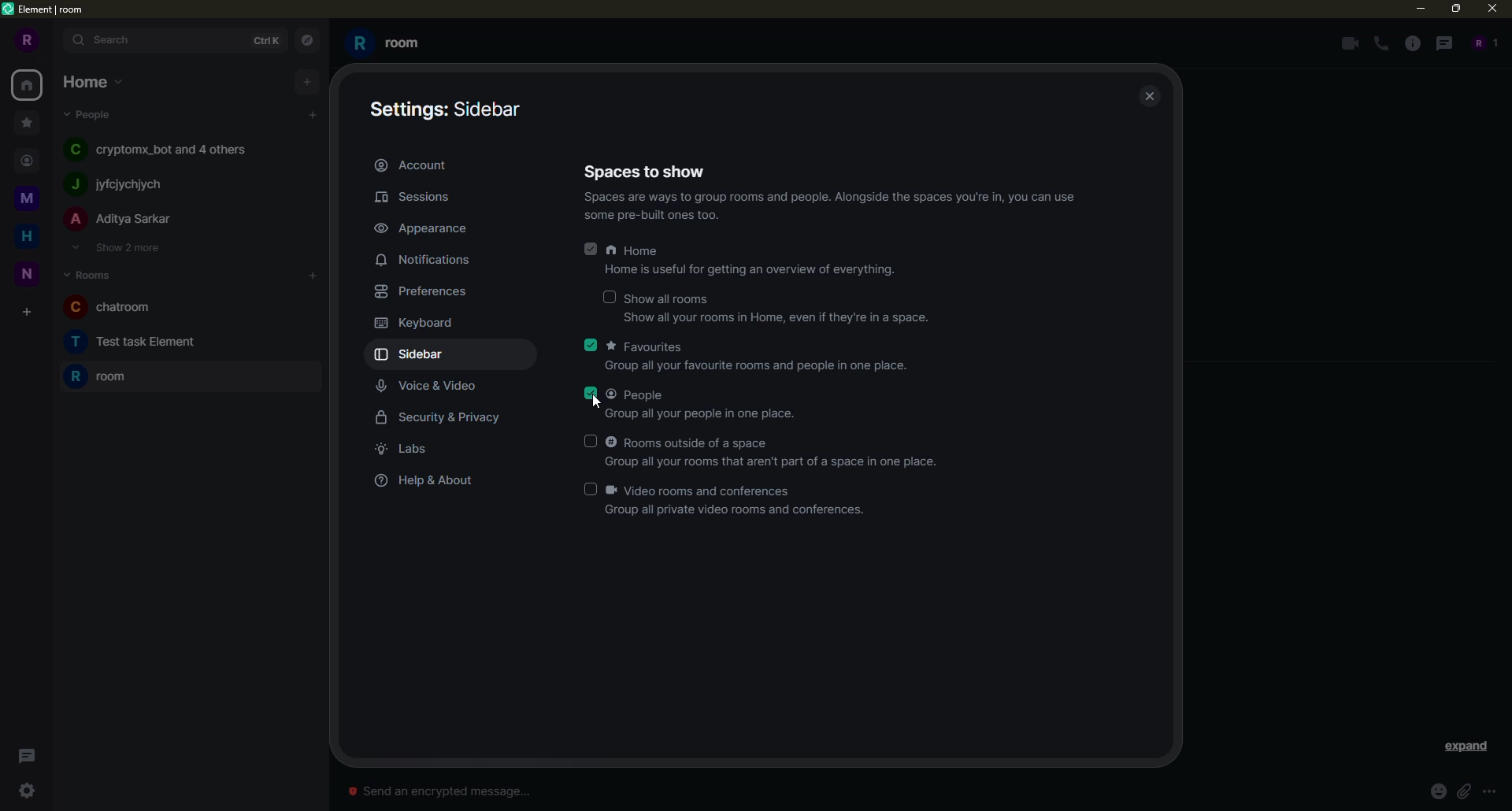 This screenshot has height=811, width=1512. I want to click on expand, so click(1468, 746).